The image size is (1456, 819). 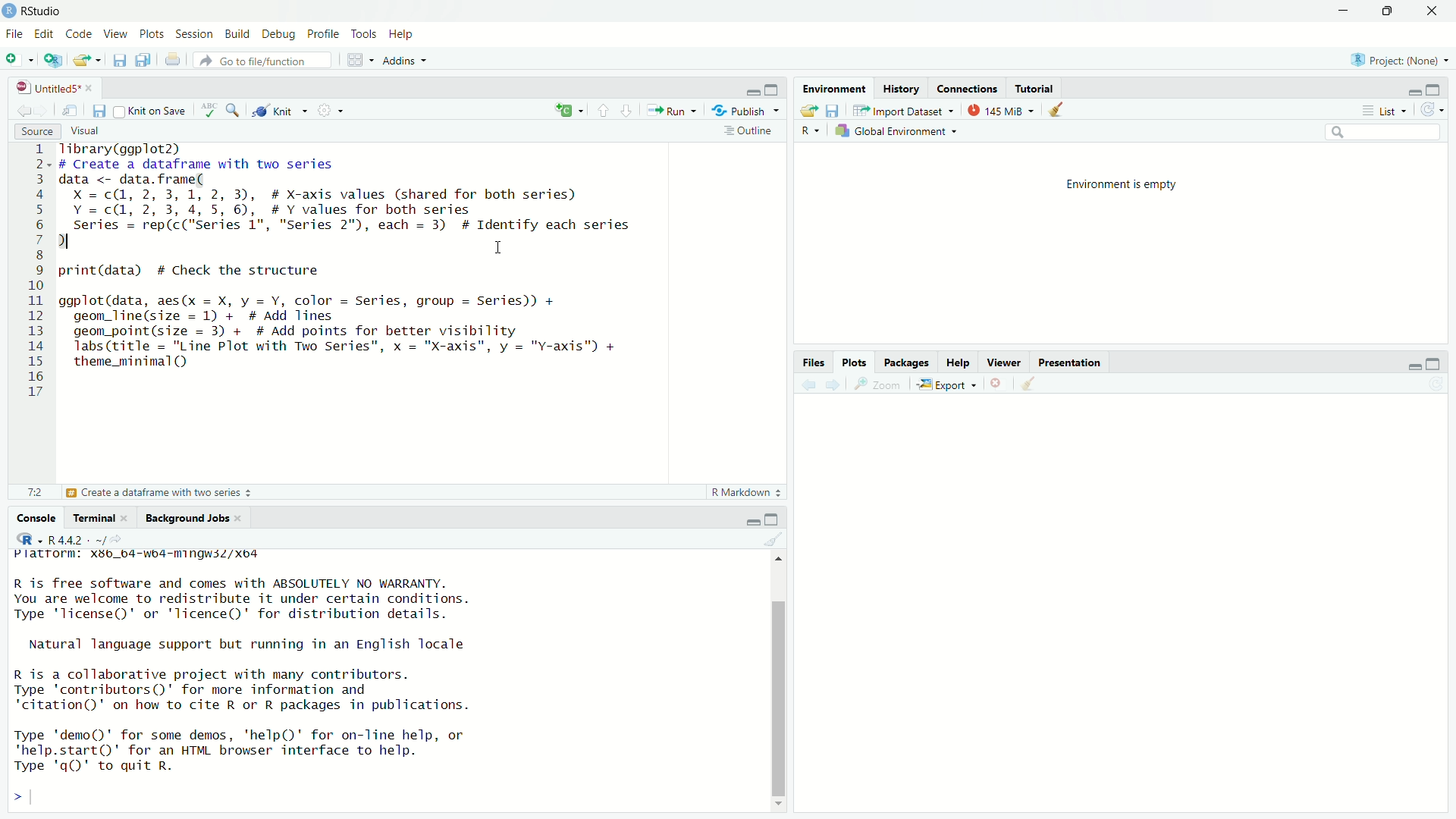 What do you see at coordinates (748, 130) in the screenshot?
I see `Outline` at bounding box center [748, 130].